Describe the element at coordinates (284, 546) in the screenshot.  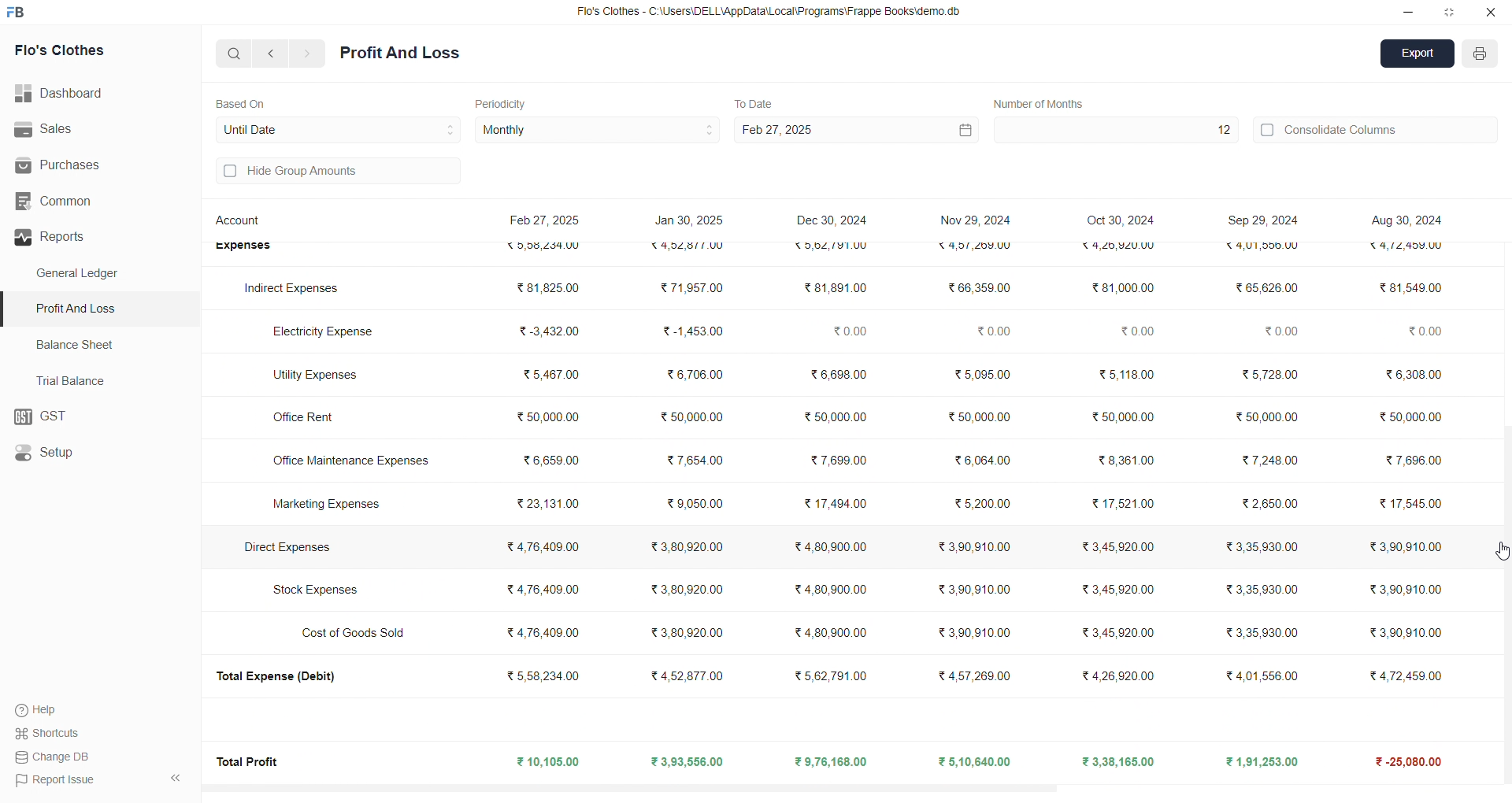
I see `Direct Expenses` at that location.